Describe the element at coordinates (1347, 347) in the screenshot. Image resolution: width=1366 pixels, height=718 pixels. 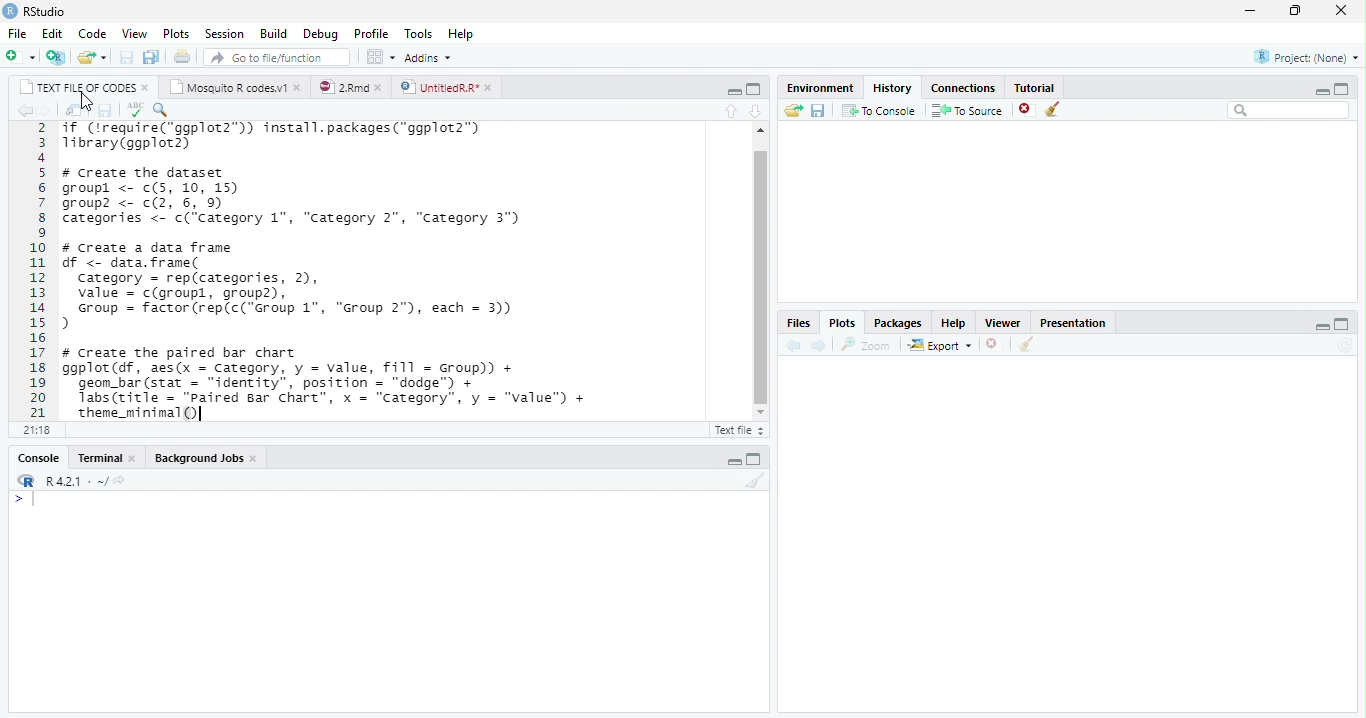
I see `sync` at that location.